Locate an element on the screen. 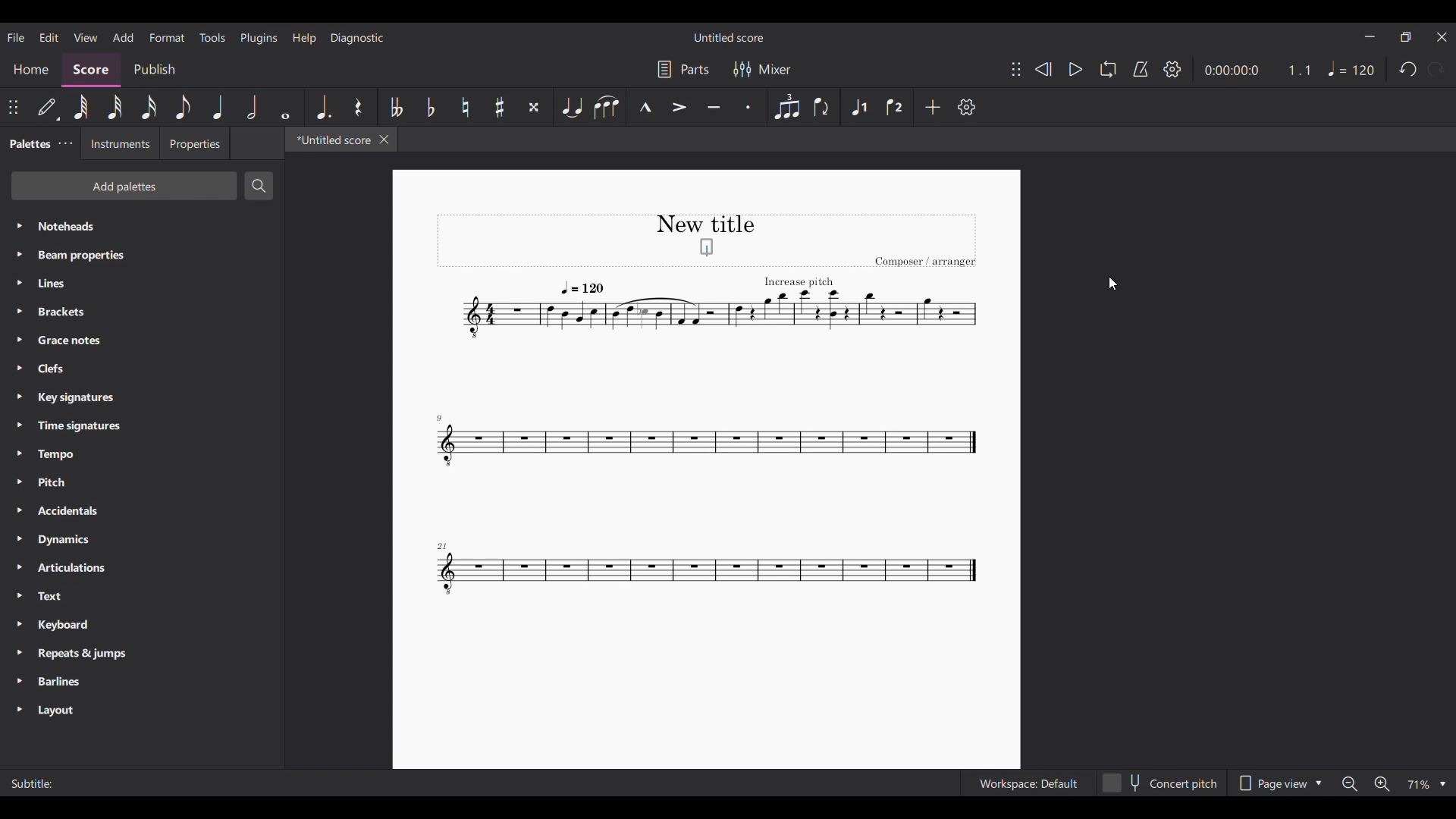 This screenshot has width=1456, height=819. Play is located at coordinates (1075, 69).